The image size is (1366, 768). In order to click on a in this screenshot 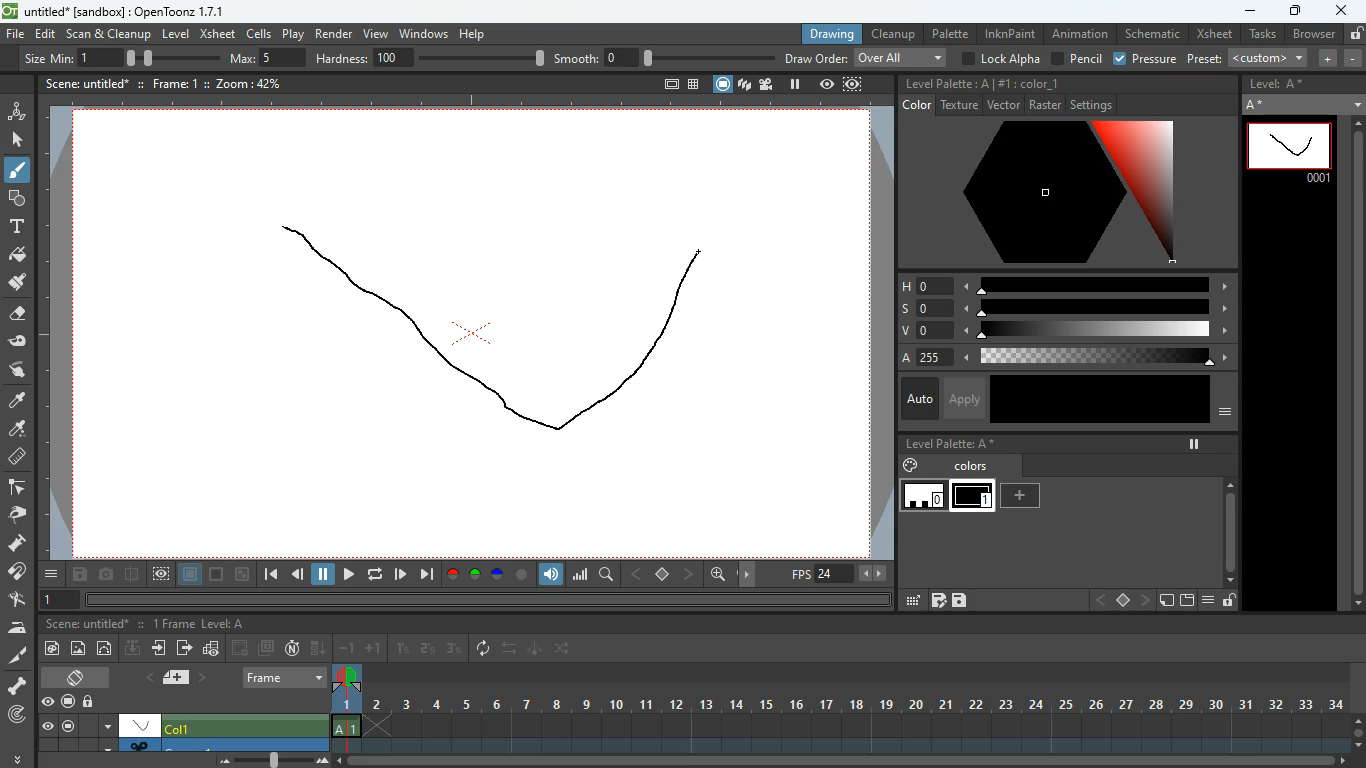, I will do `click(1260, 106)`.